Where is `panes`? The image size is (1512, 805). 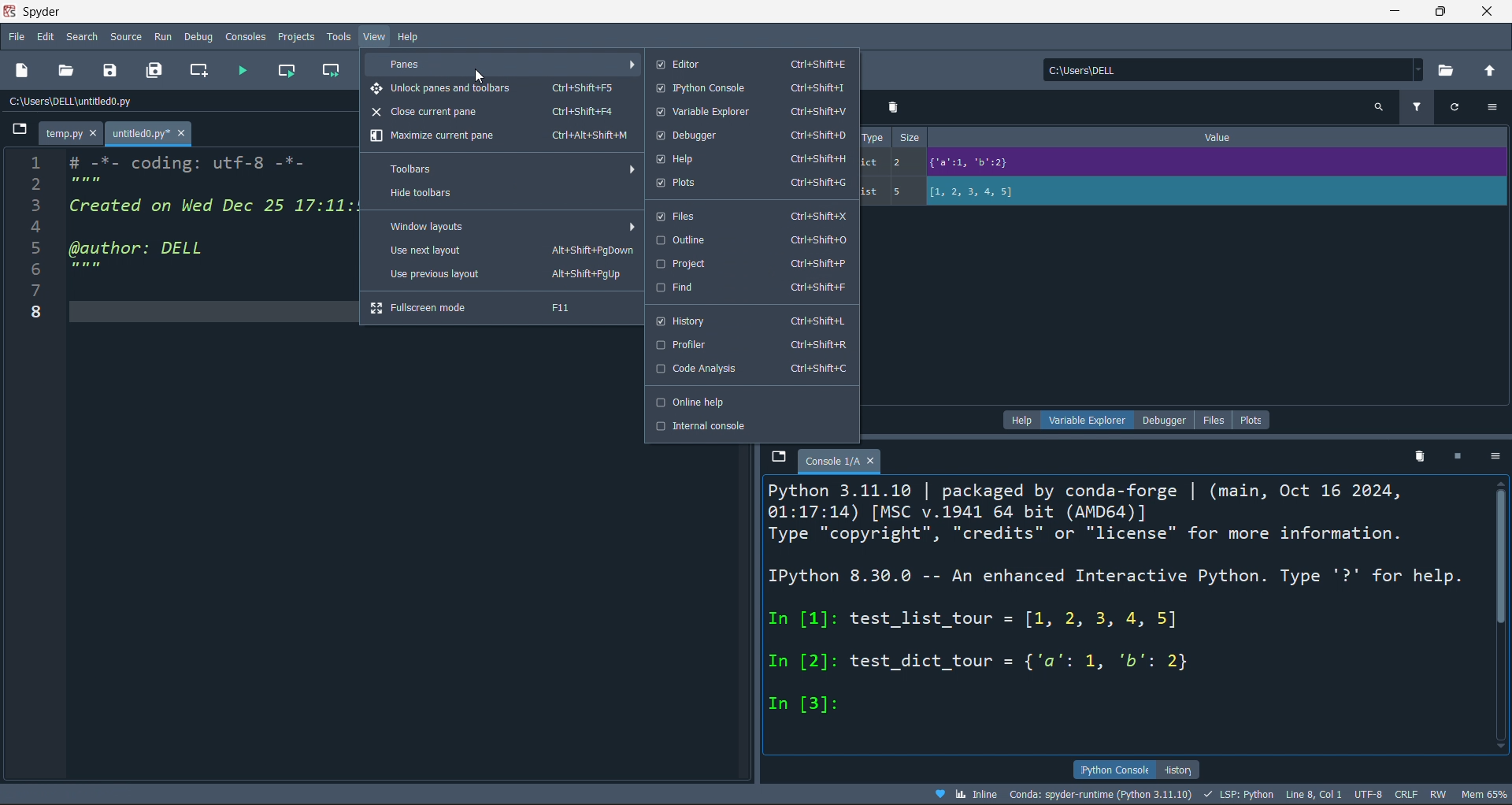 panes is located at coordinates (503, 65).